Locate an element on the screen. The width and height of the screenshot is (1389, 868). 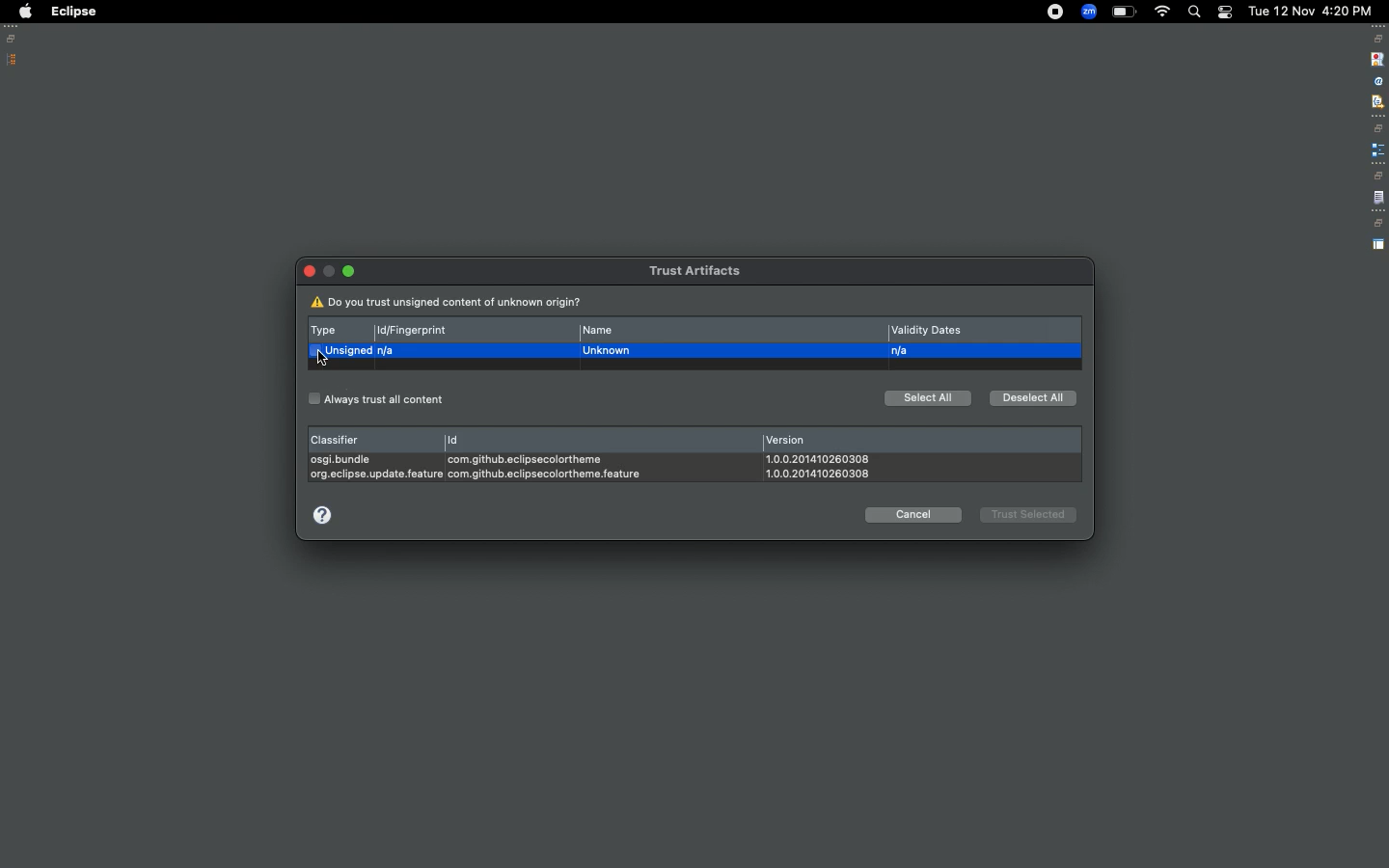
Close is located at coordinates (311, 271).